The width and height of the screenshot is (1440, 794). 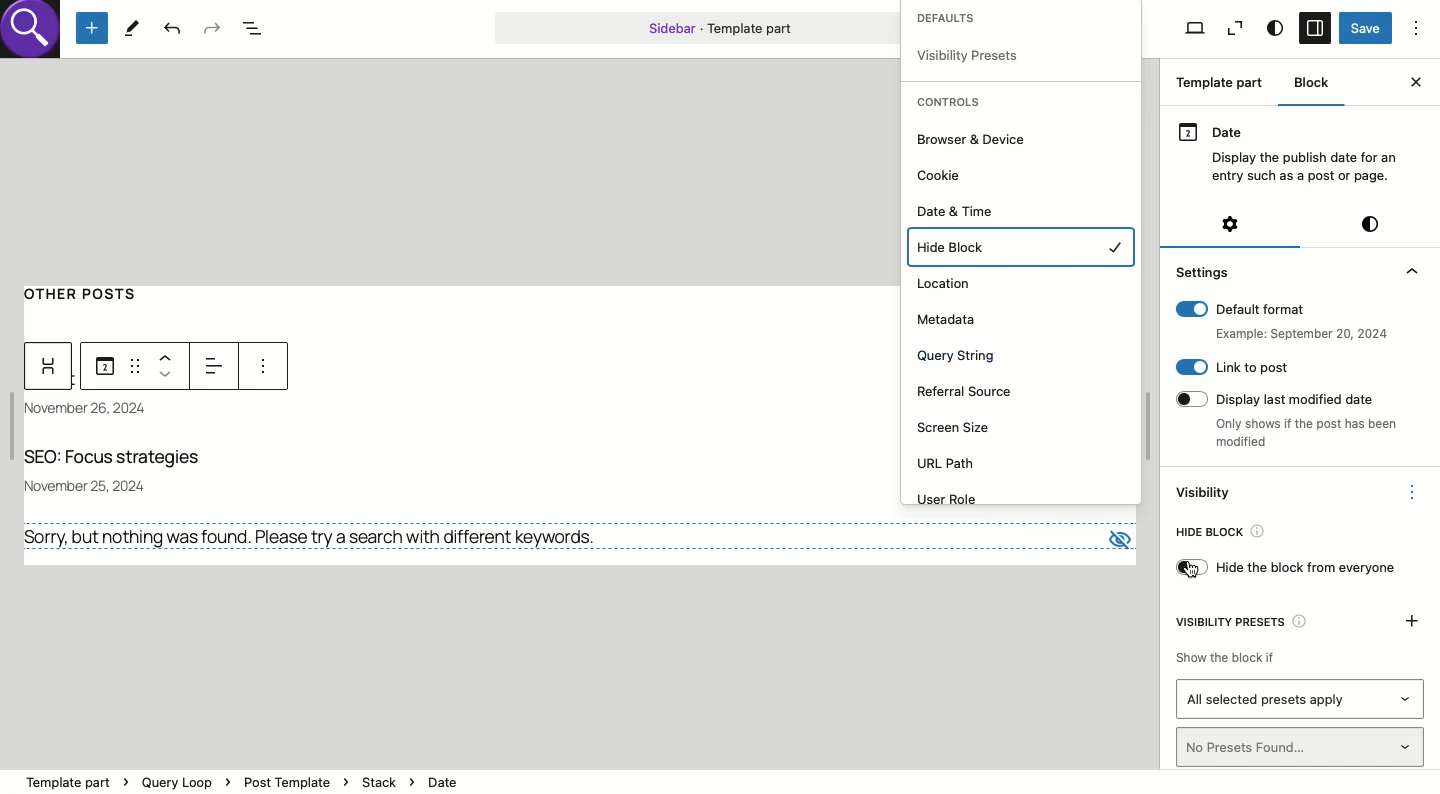 What do you see at coordinates (1206, 494) in the screenshot?
I see `Visibility ` at bounding box center [1206, 494].